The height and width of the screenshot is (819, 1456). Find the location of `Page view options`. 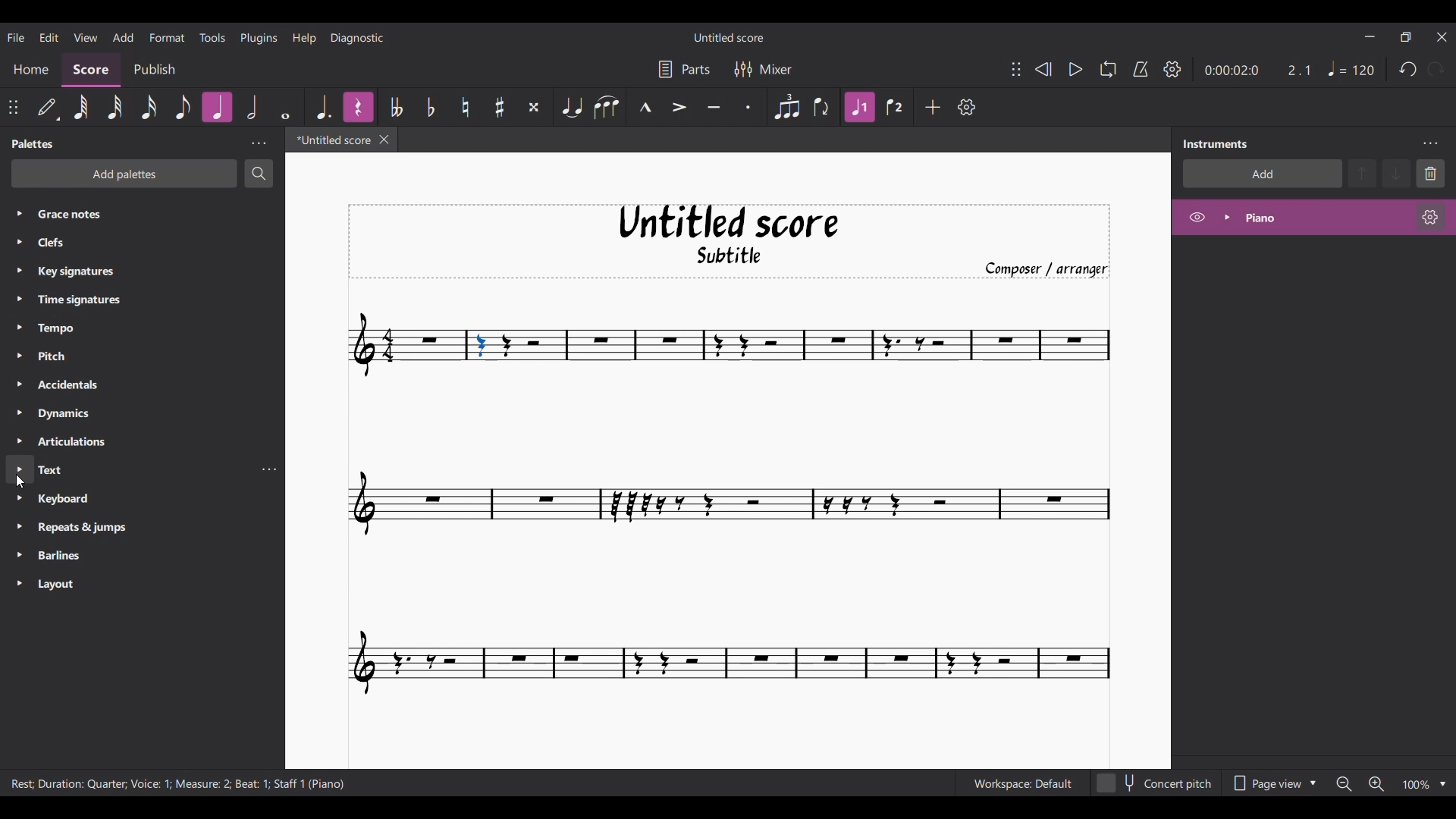

Page view options is located at coordinates (1272, 783).